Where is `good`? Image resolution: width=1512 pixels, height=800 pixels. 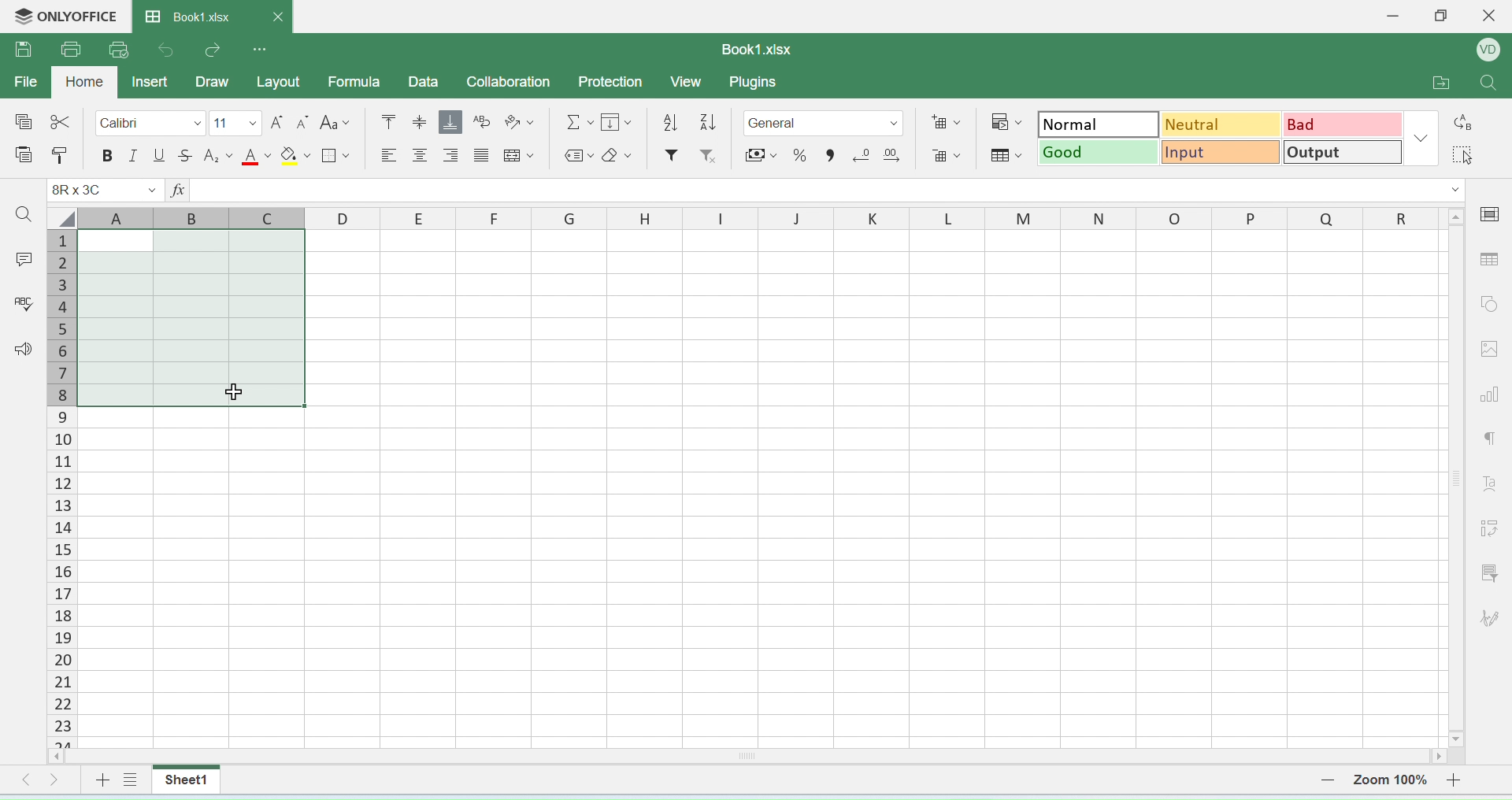
good is located at coordinates (1097, 152).